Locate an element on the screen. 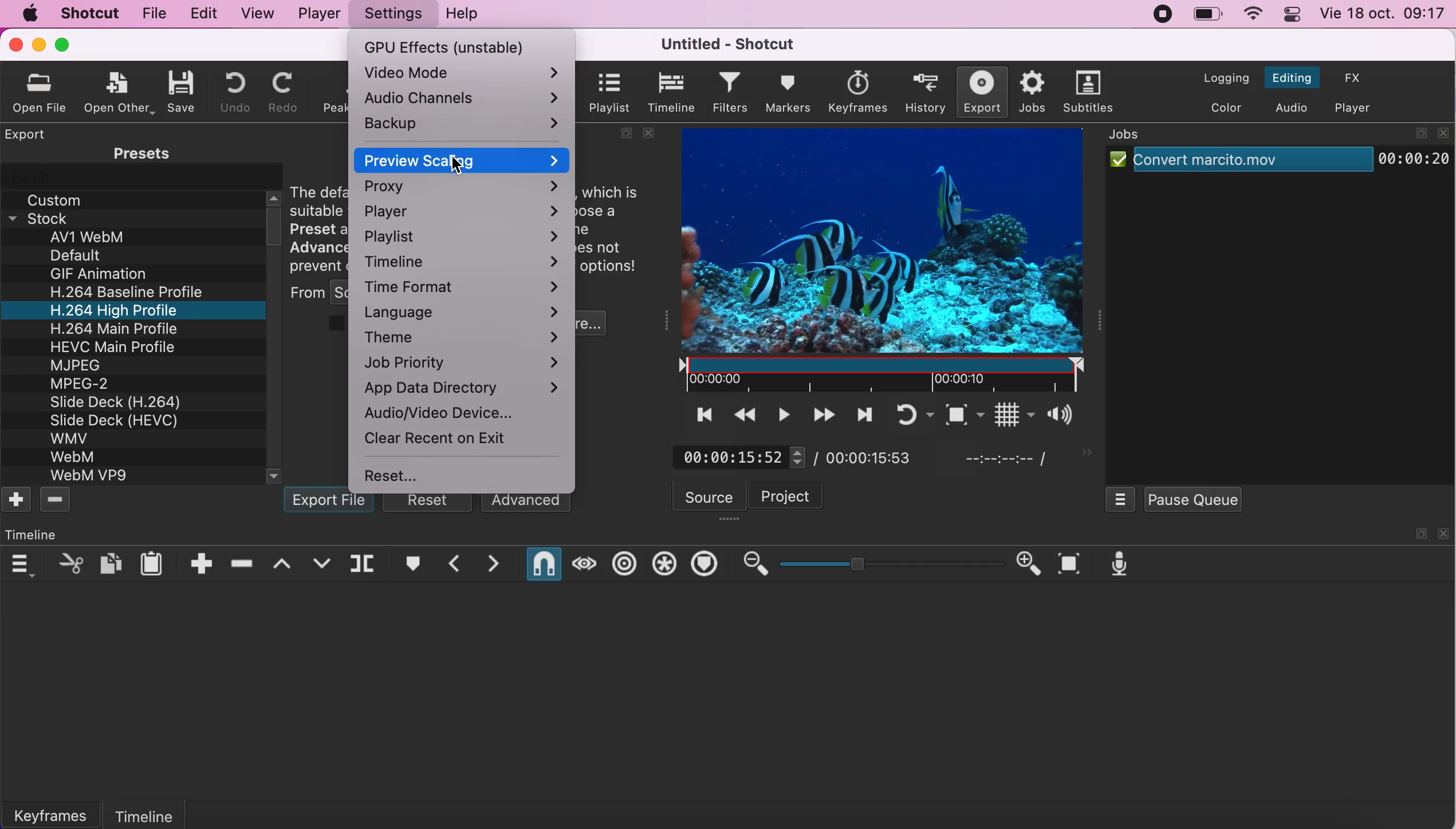 The width and height of the screenshot is (1456, 829). toggle player looping is located at coordinates (902, 414).